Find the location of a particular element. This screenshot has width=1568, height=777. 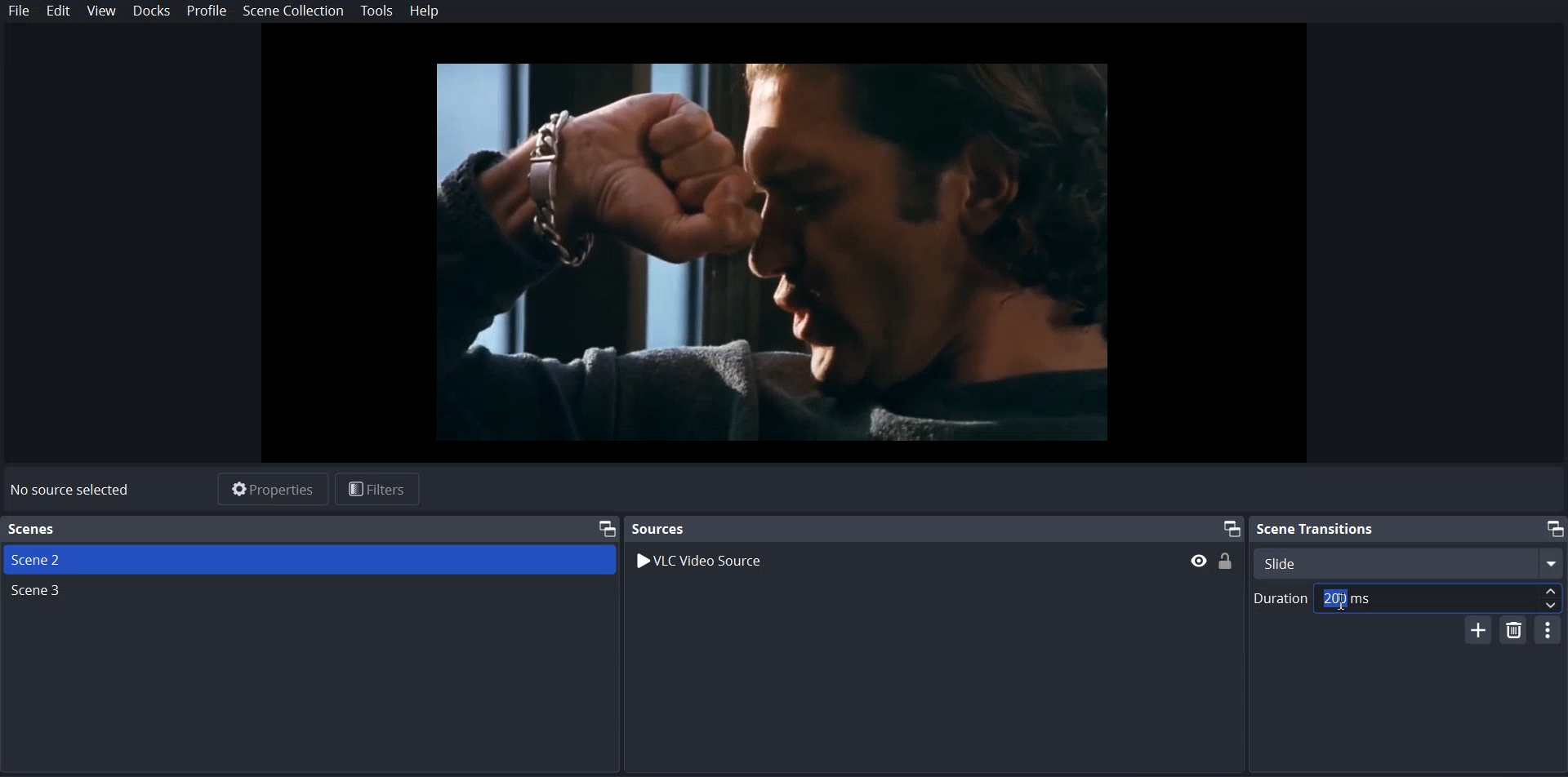

No source selected is located at coordinates (71, 491).